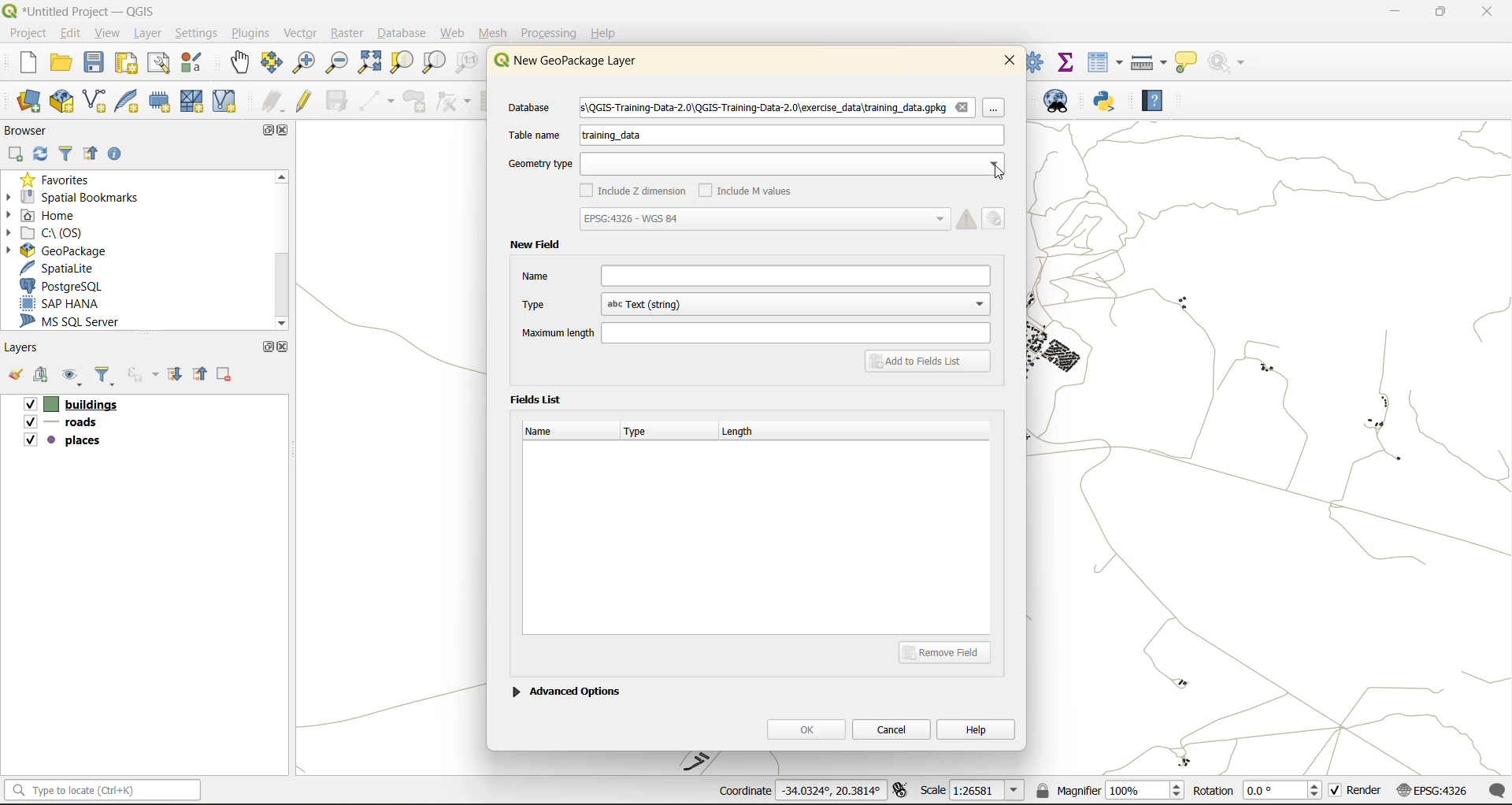 The height and width of the screenshot is (805, 1512). What do you see at coordinates (160, 63) in the screenshot?
I see `show layout` at bounding box center [160, 63].